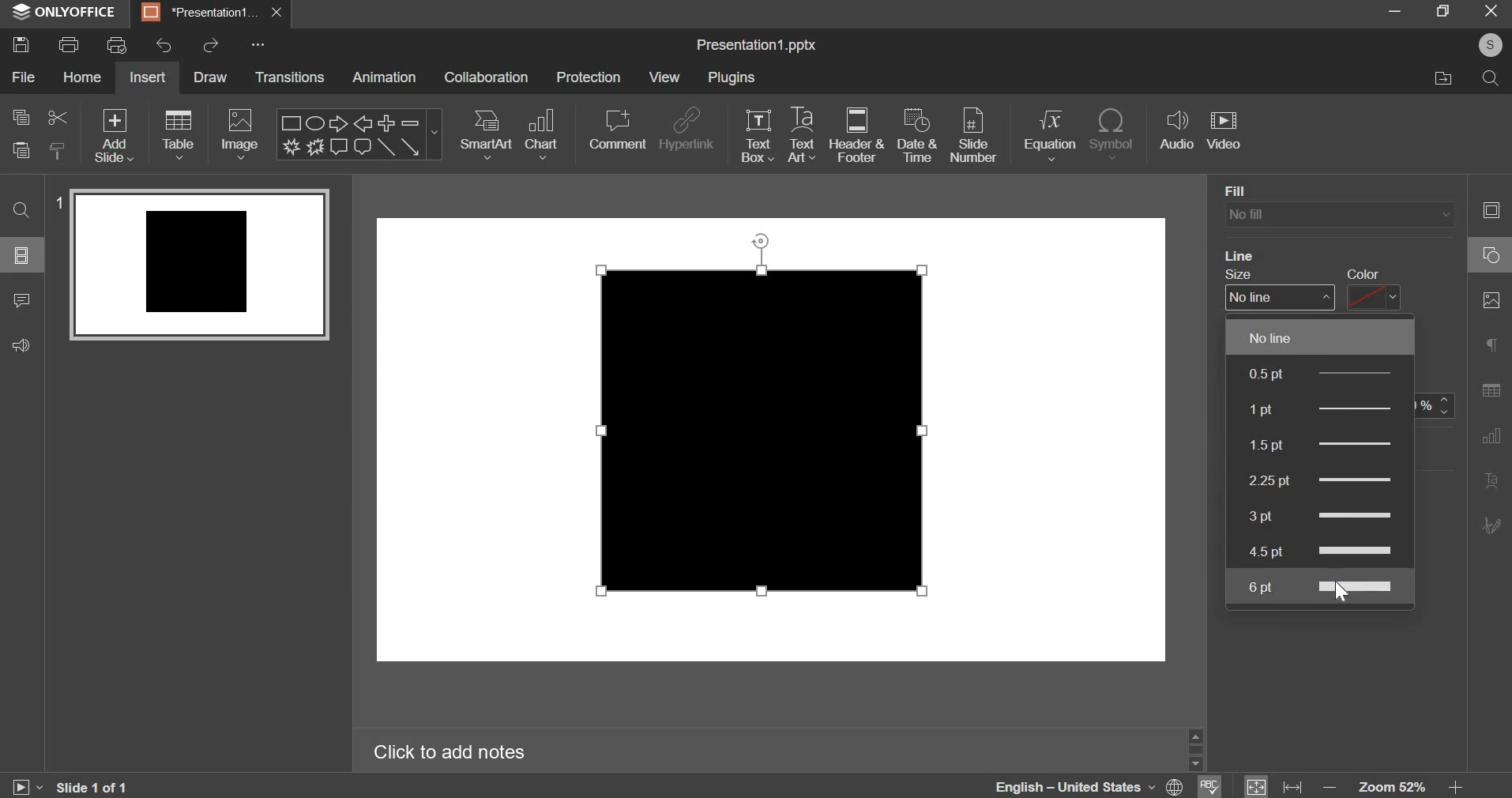  Describe the element at coordinates (340, 123) in the screenshot. I see `Arrow` at that location.